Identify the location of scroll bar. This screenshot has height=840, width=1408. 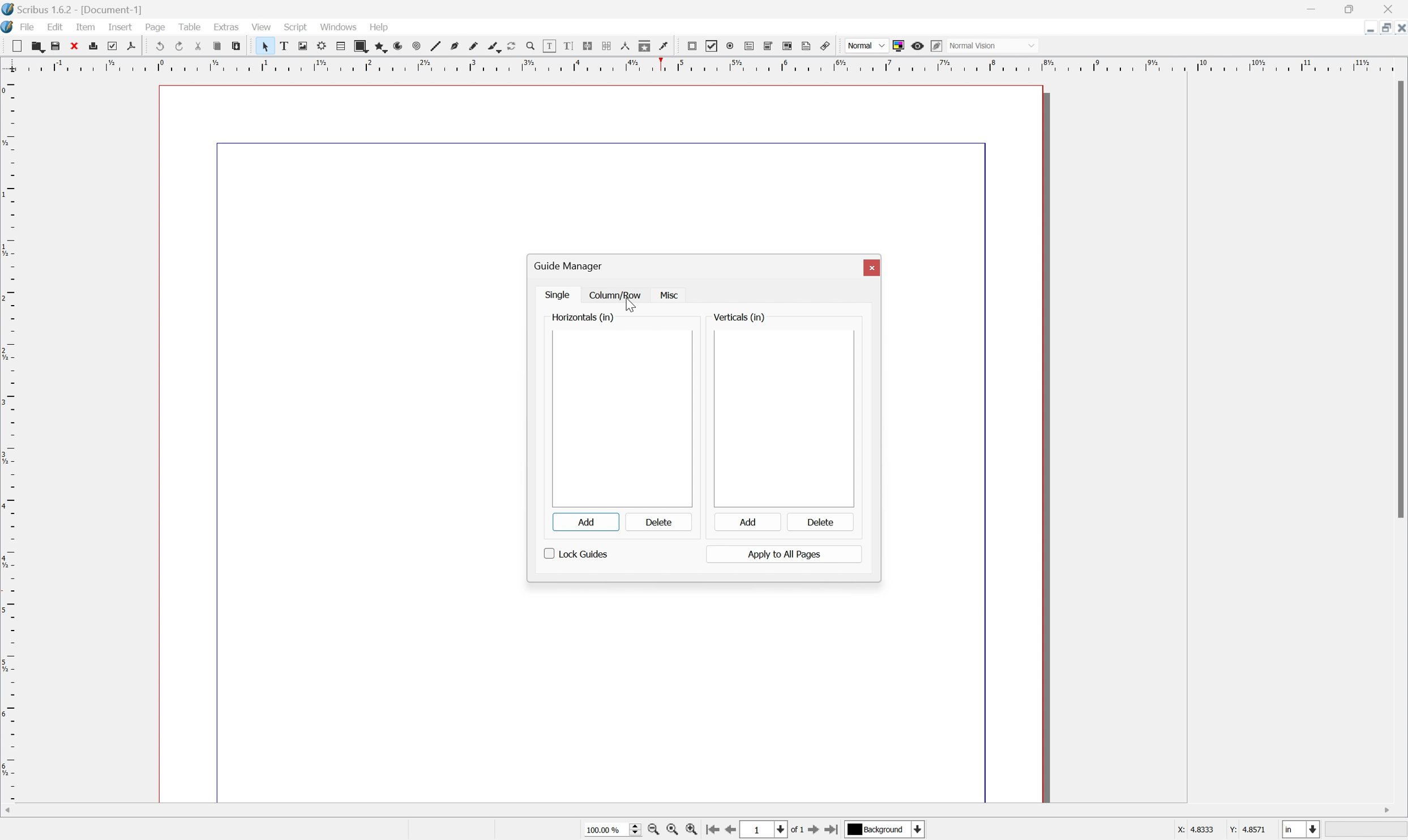
(1399, 299).